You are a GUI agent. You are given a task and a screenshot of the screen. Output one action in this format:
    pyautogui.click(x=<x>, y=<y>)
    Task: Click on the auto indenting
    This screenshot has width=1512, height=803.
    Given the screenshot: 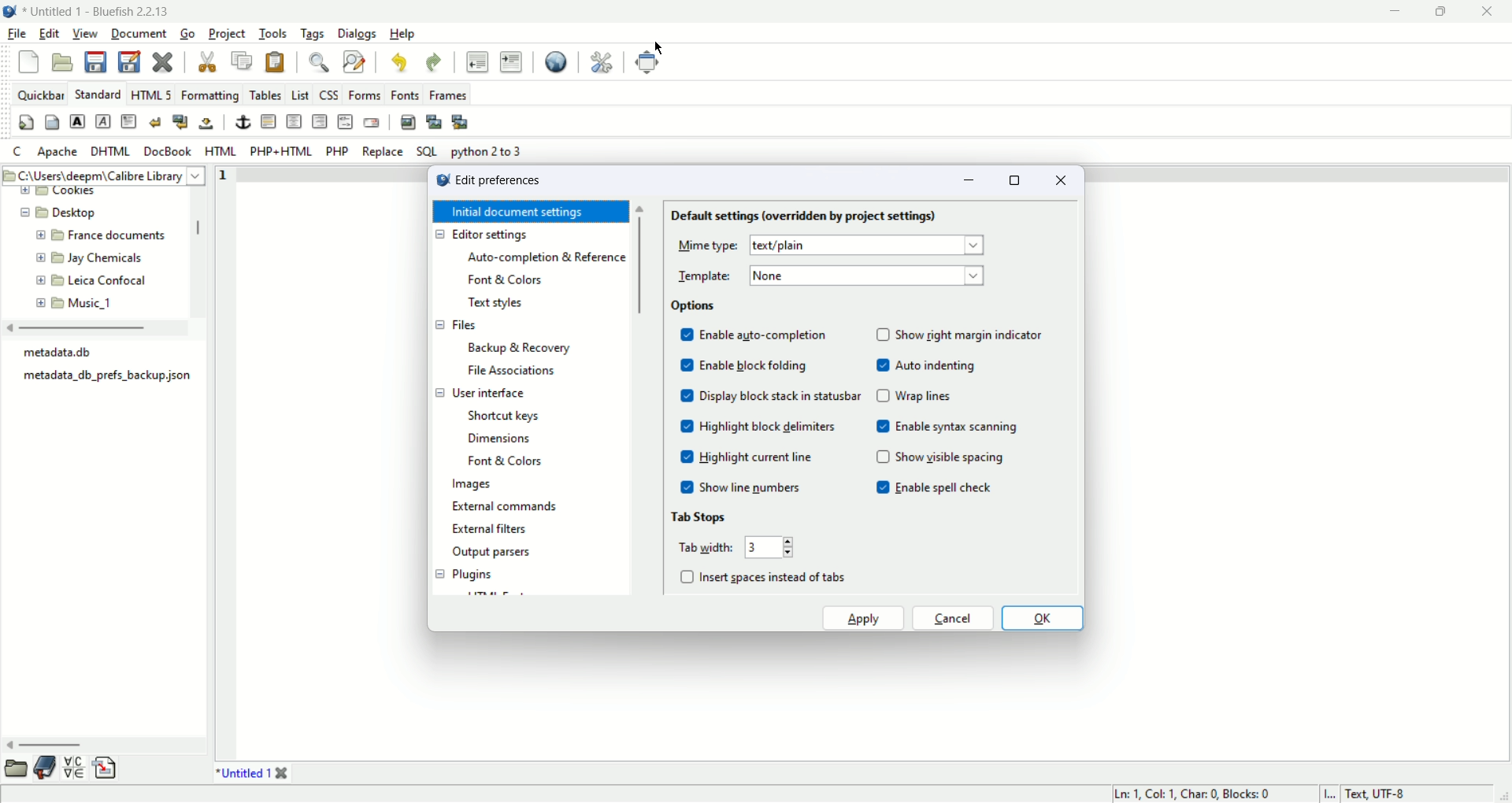 What is the action you would take?
    pyautogui.click(x=945, y=364)
    